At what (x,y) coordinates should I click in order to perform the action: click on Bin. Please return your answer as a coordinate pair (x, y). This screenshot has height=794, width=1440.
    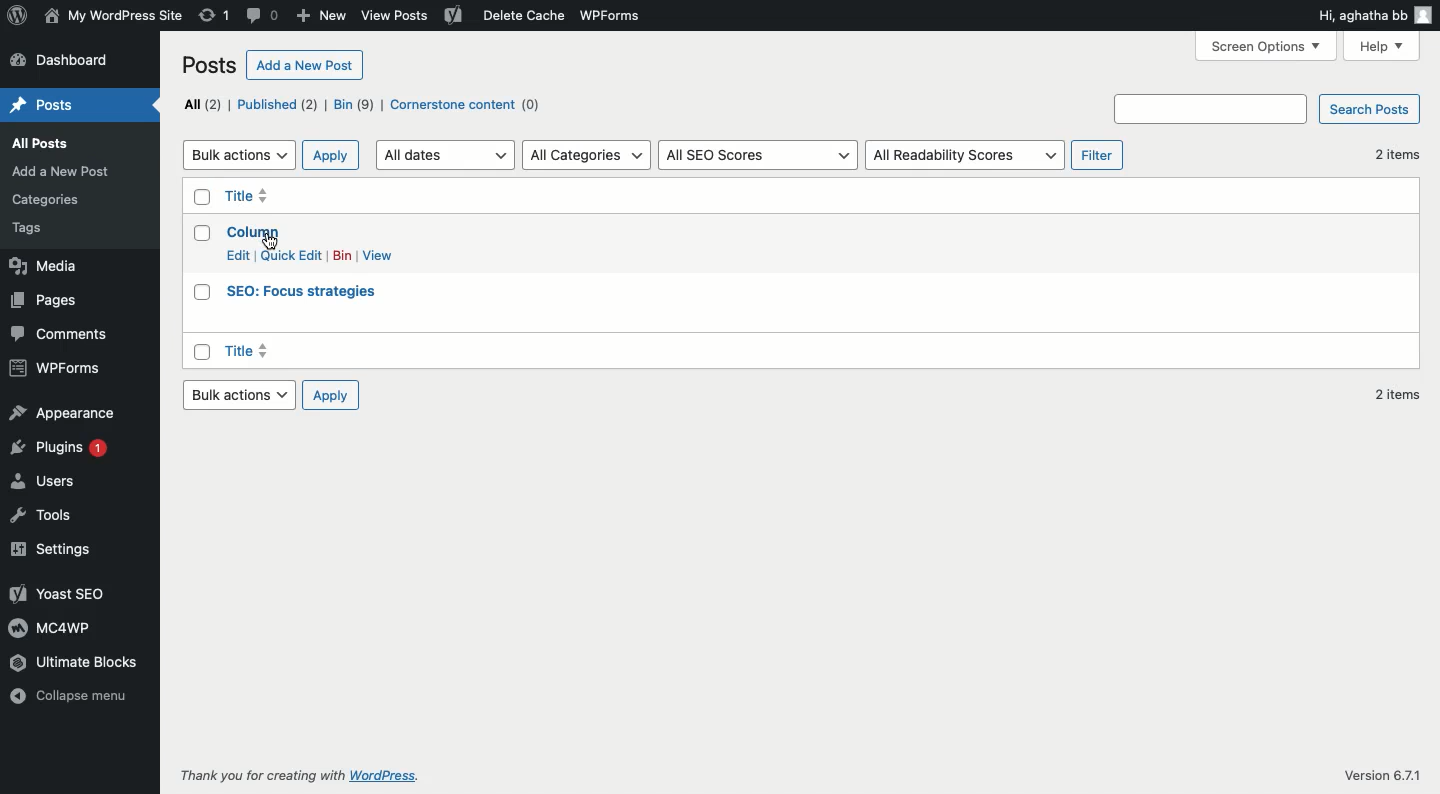
    Looking at the image, I should click on (354, 105).